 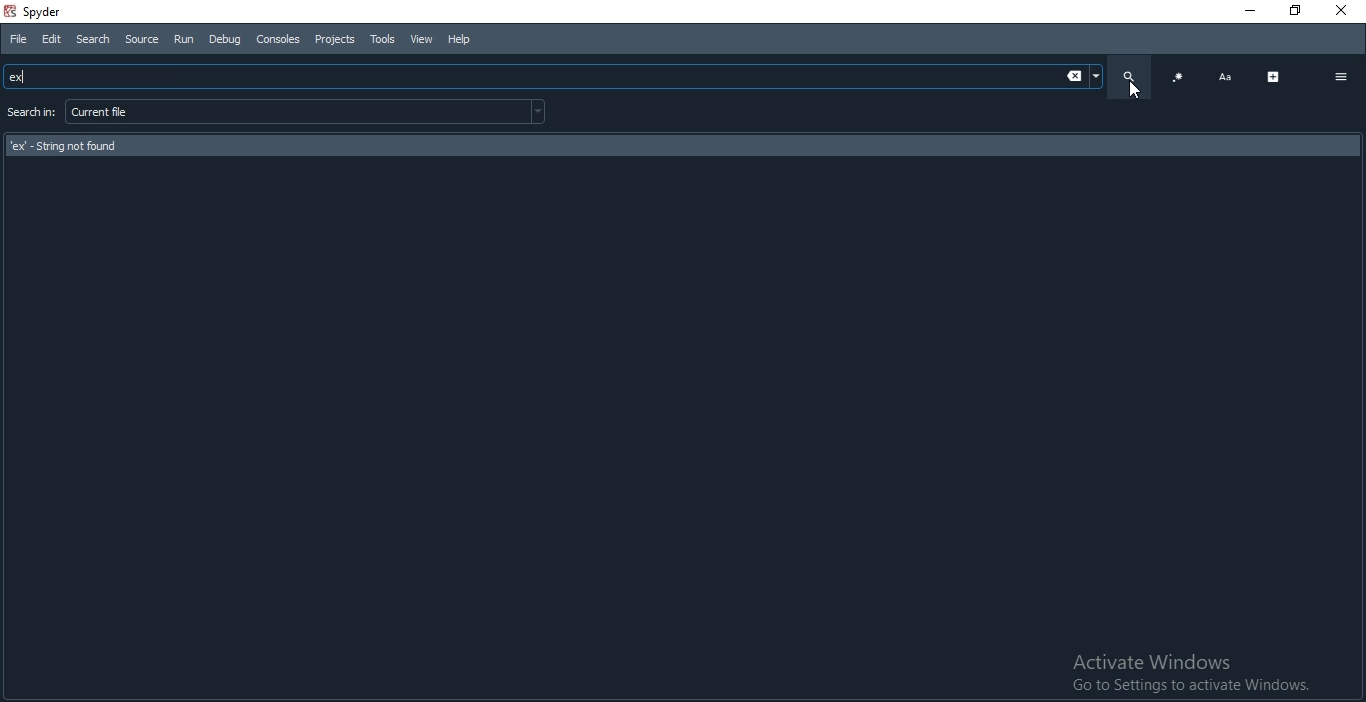 I want to click on options, so click(x=1341, y=76).